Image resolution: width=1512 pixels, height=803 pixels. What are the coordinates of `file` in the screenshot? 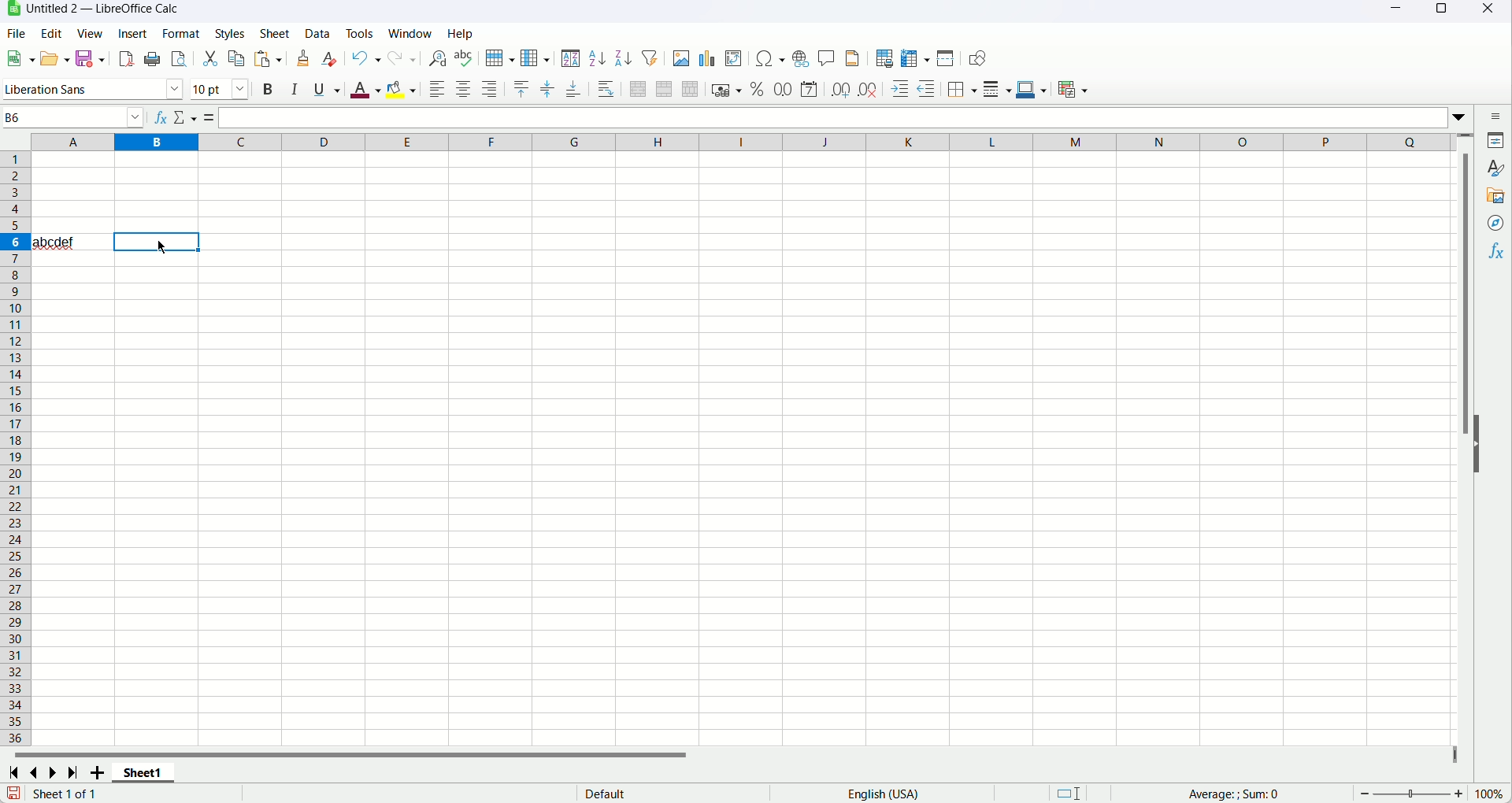 It's located at (15, 34).